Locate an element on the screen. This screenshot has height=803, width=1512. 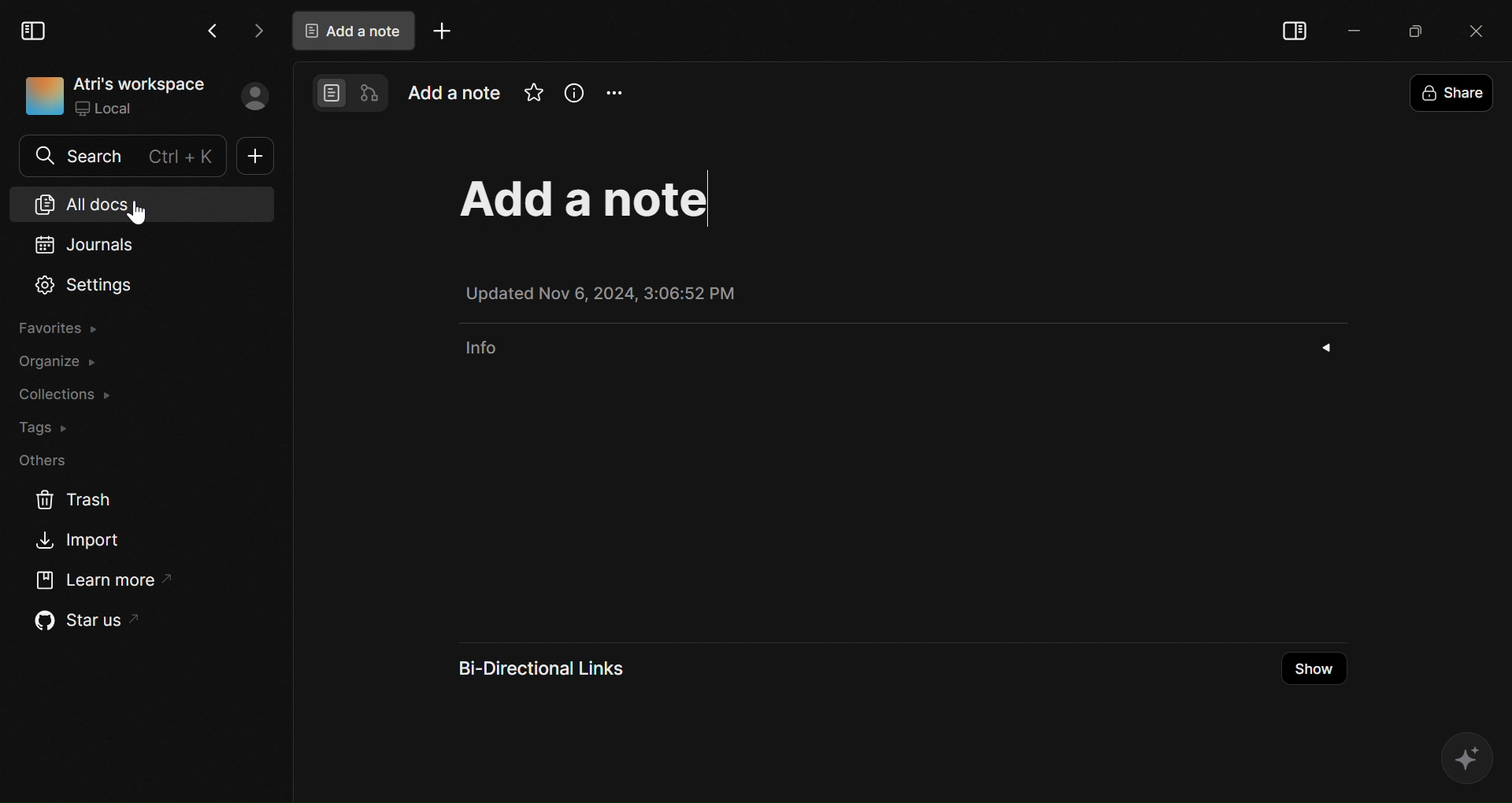
New doc is located at coordinates (258, 157).